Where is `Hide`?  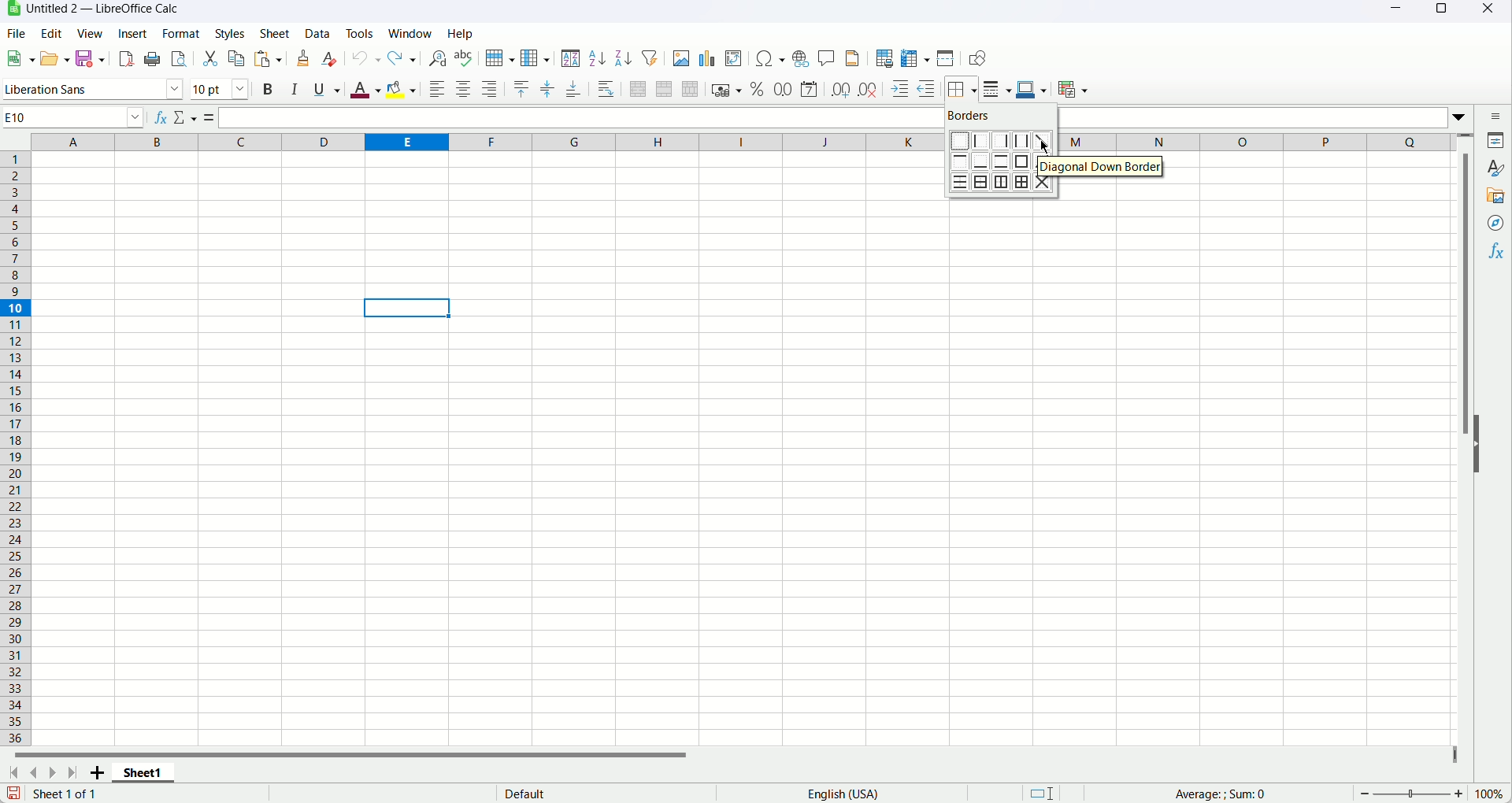 Hide is located at coordinates (1484, 443).